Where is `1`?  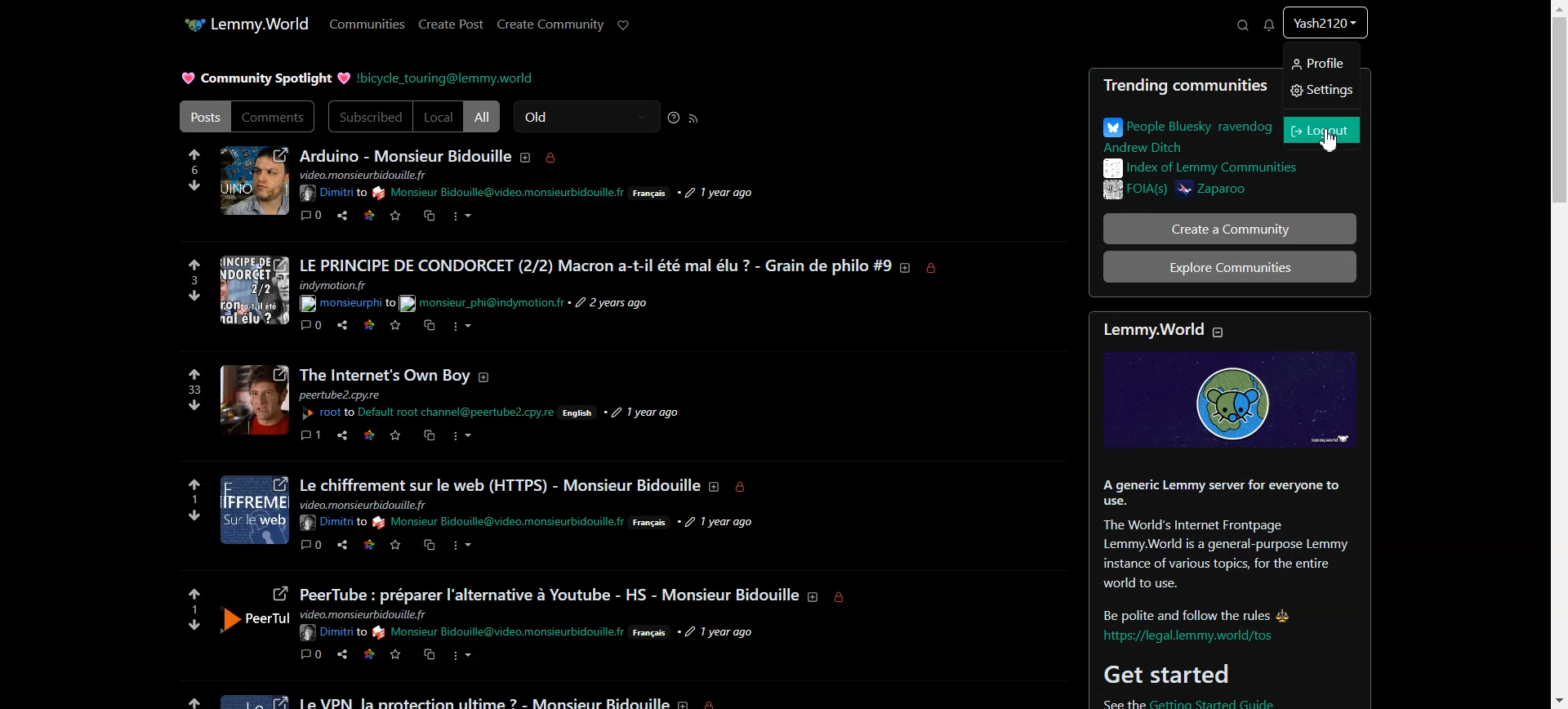
1 is located at coordinates (194, 608).